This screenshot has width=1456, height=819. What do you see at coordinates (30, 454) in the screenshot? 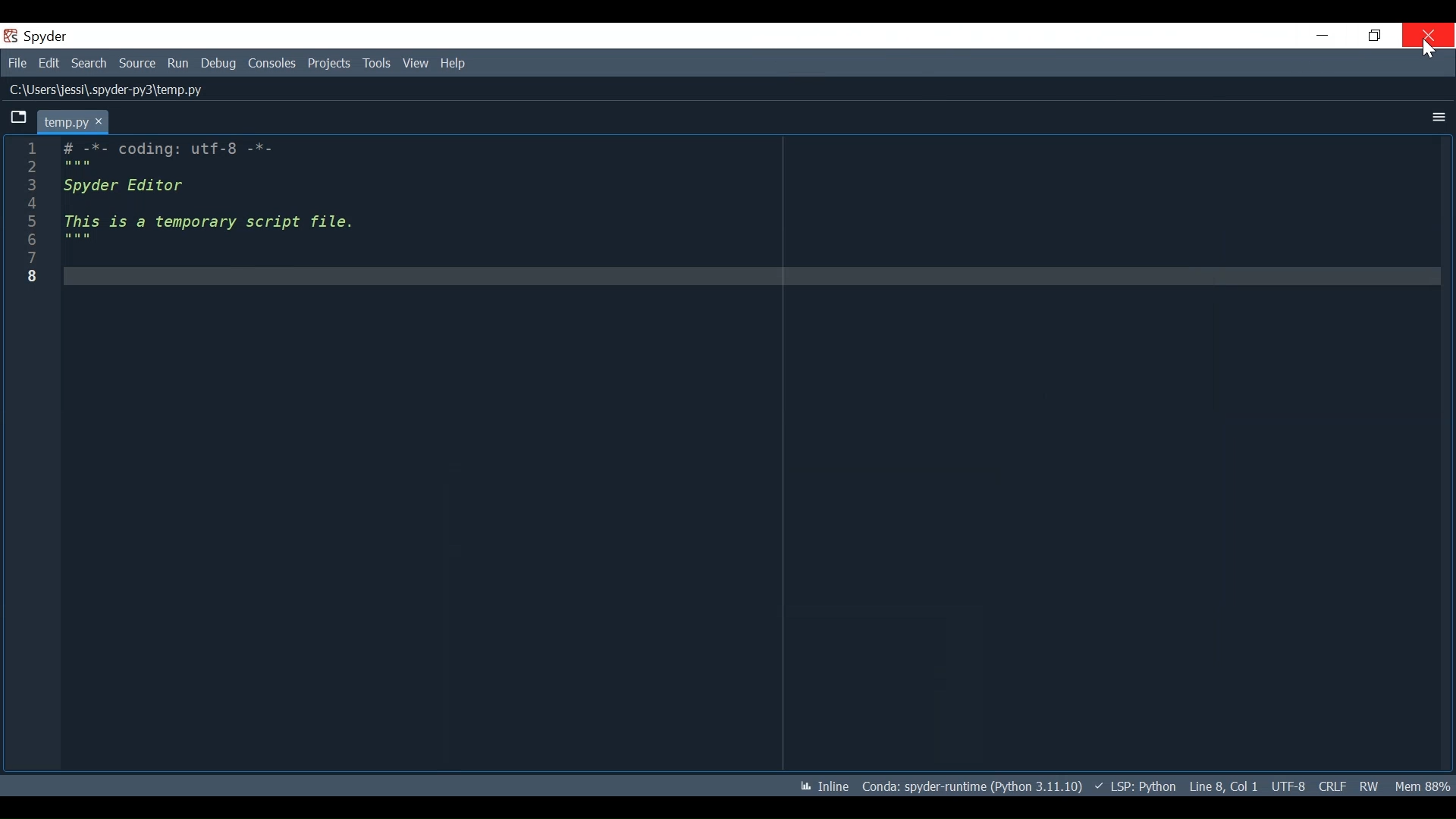
I see `Line column` at bounding box center [30, 454].